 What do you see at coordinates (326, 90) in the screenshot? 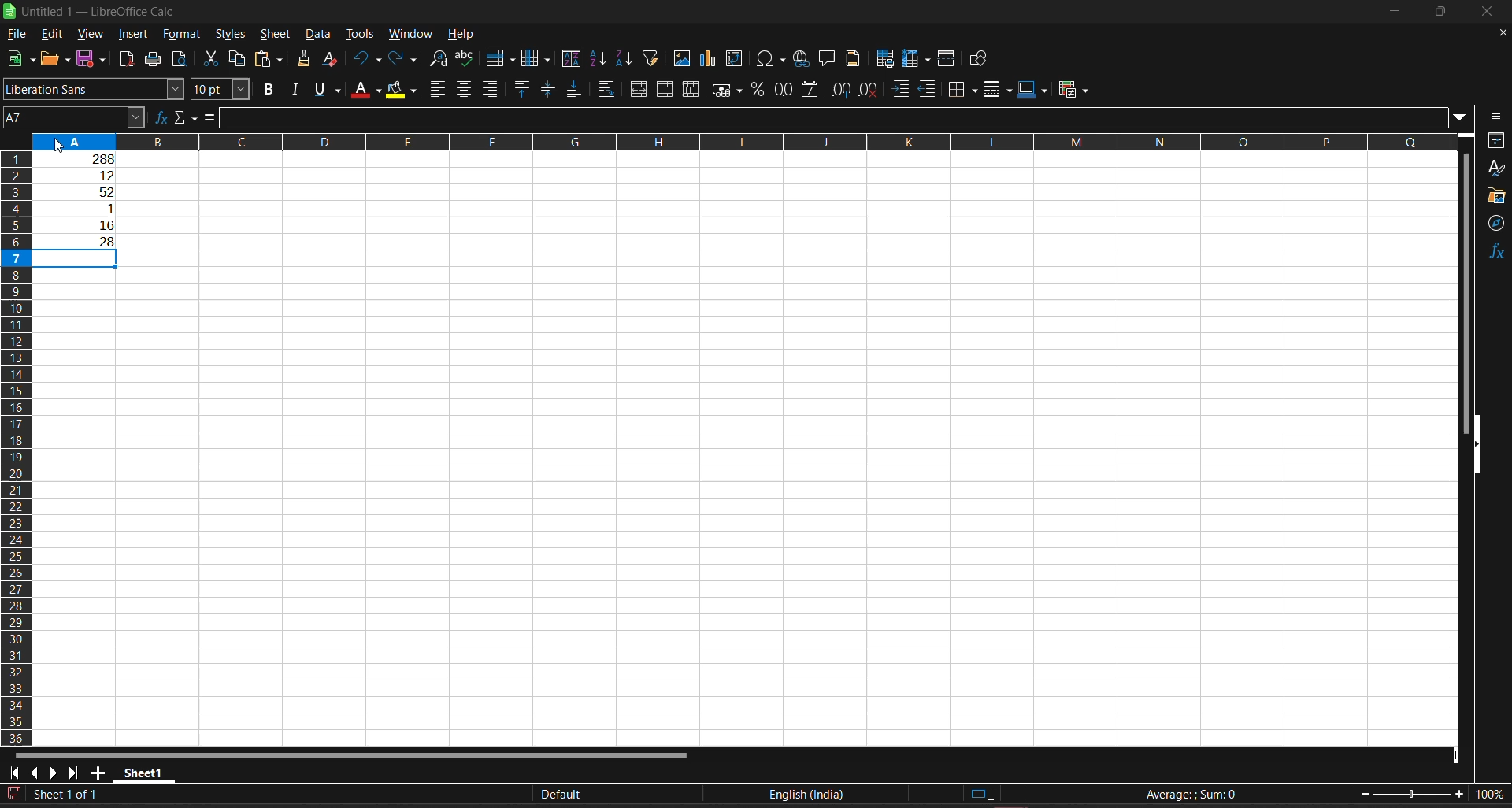
I see `underline` at bounding box center [326, 90].